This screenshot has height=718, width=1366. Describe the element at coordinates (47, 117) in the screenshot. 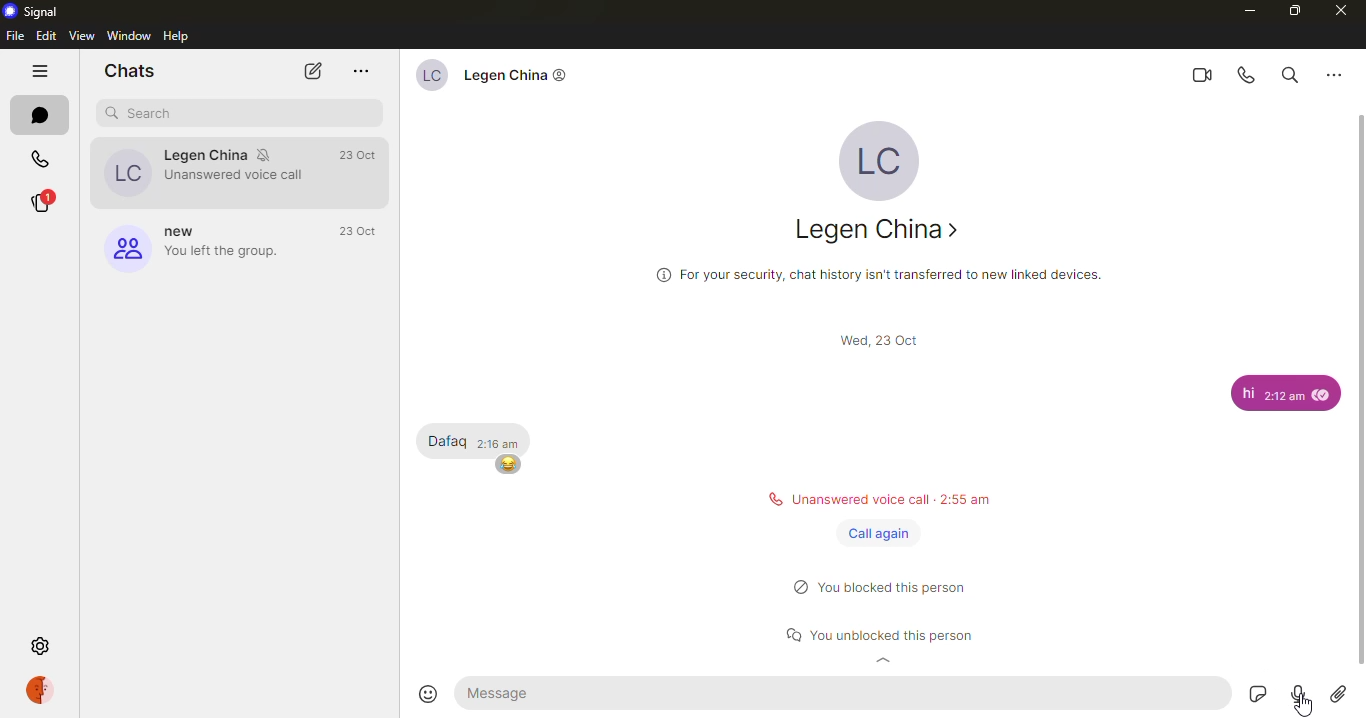

I see `chats` at that location.